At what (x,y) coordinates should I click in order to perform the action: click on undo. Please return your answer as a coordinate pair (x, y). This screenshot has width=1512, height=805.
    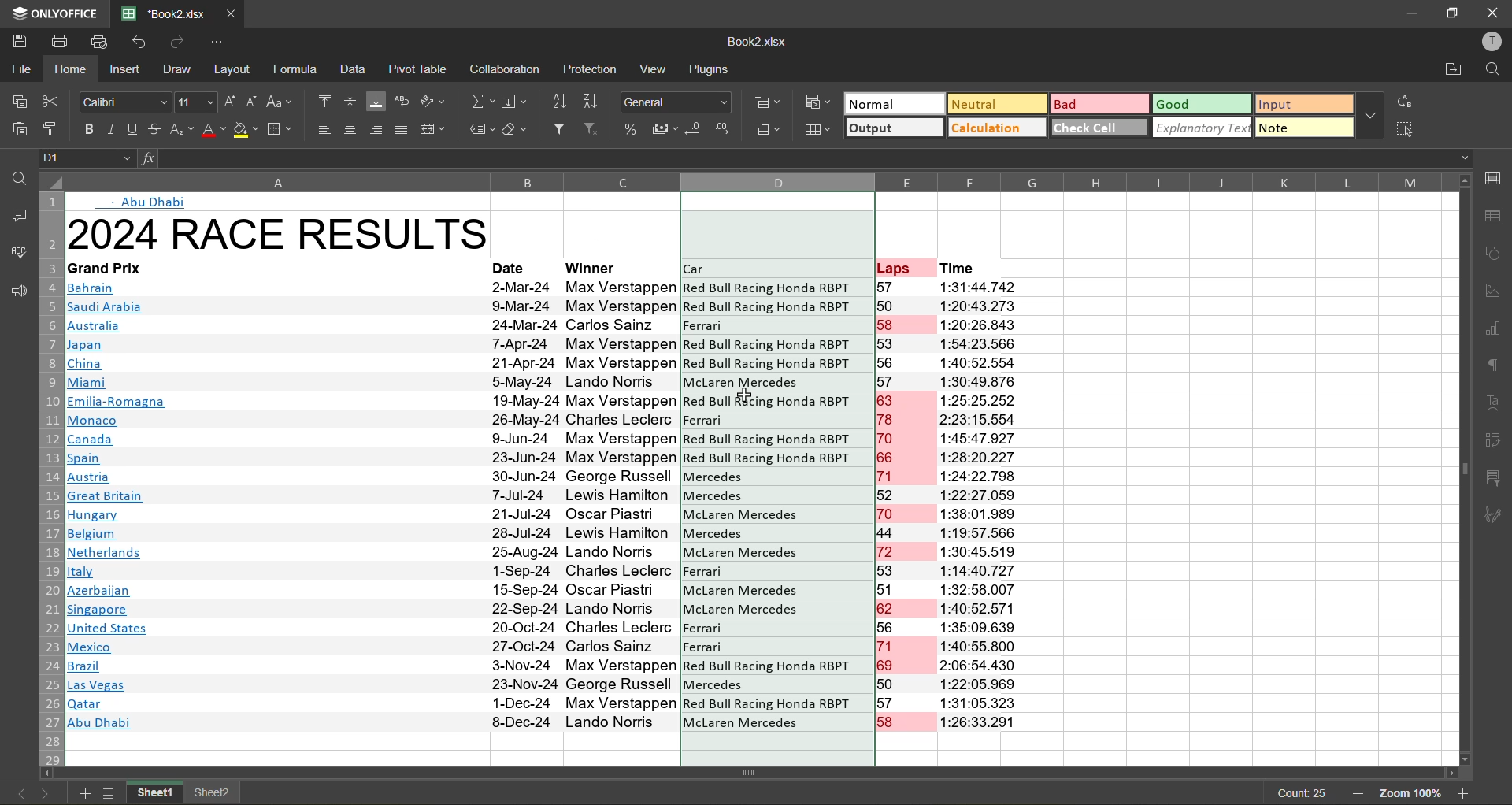
    Looking at the image, I should click on (137, 42).